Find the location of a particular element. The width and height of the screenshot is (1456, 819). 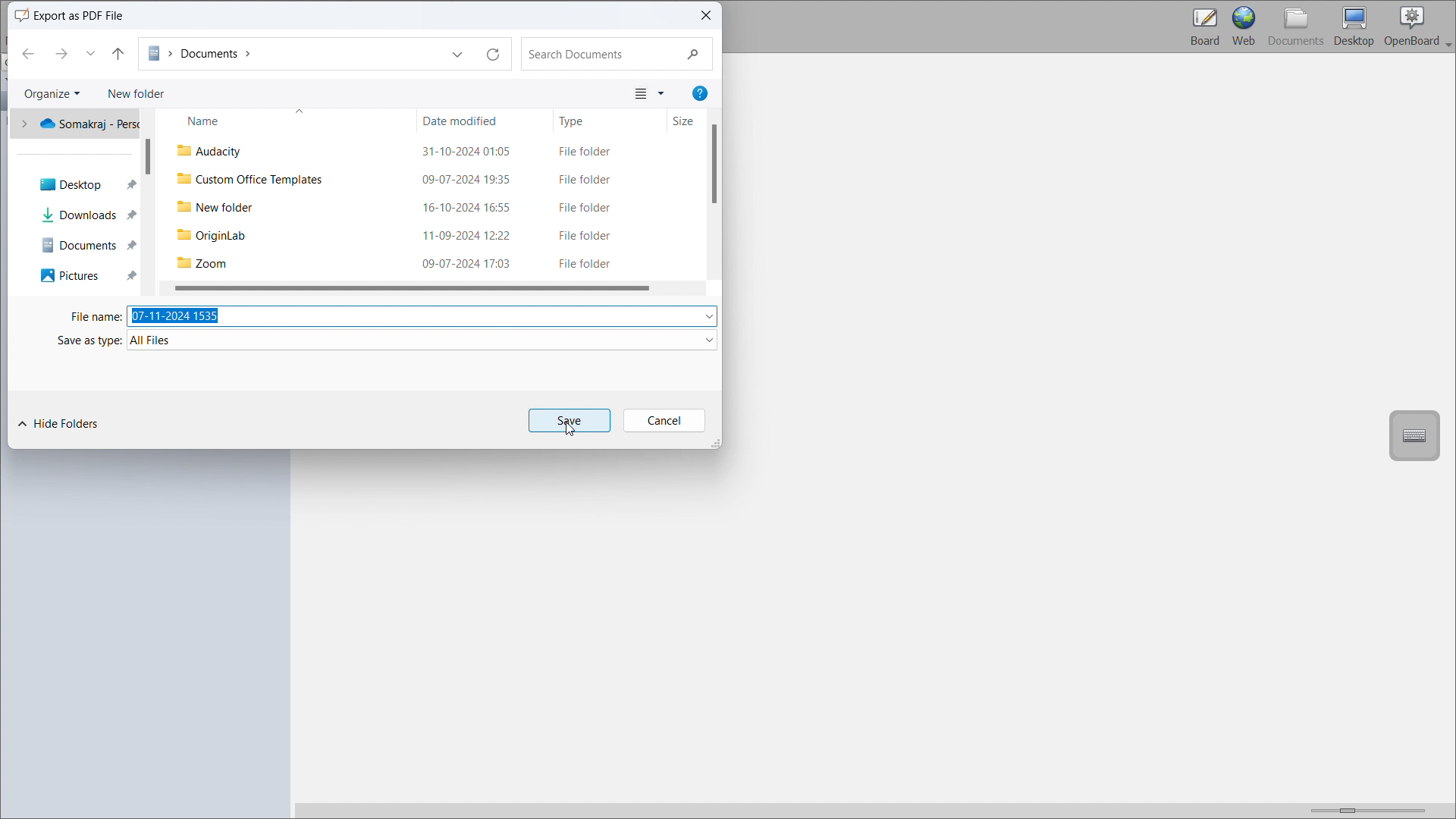

Pointer is located at coordinates (576, 433).